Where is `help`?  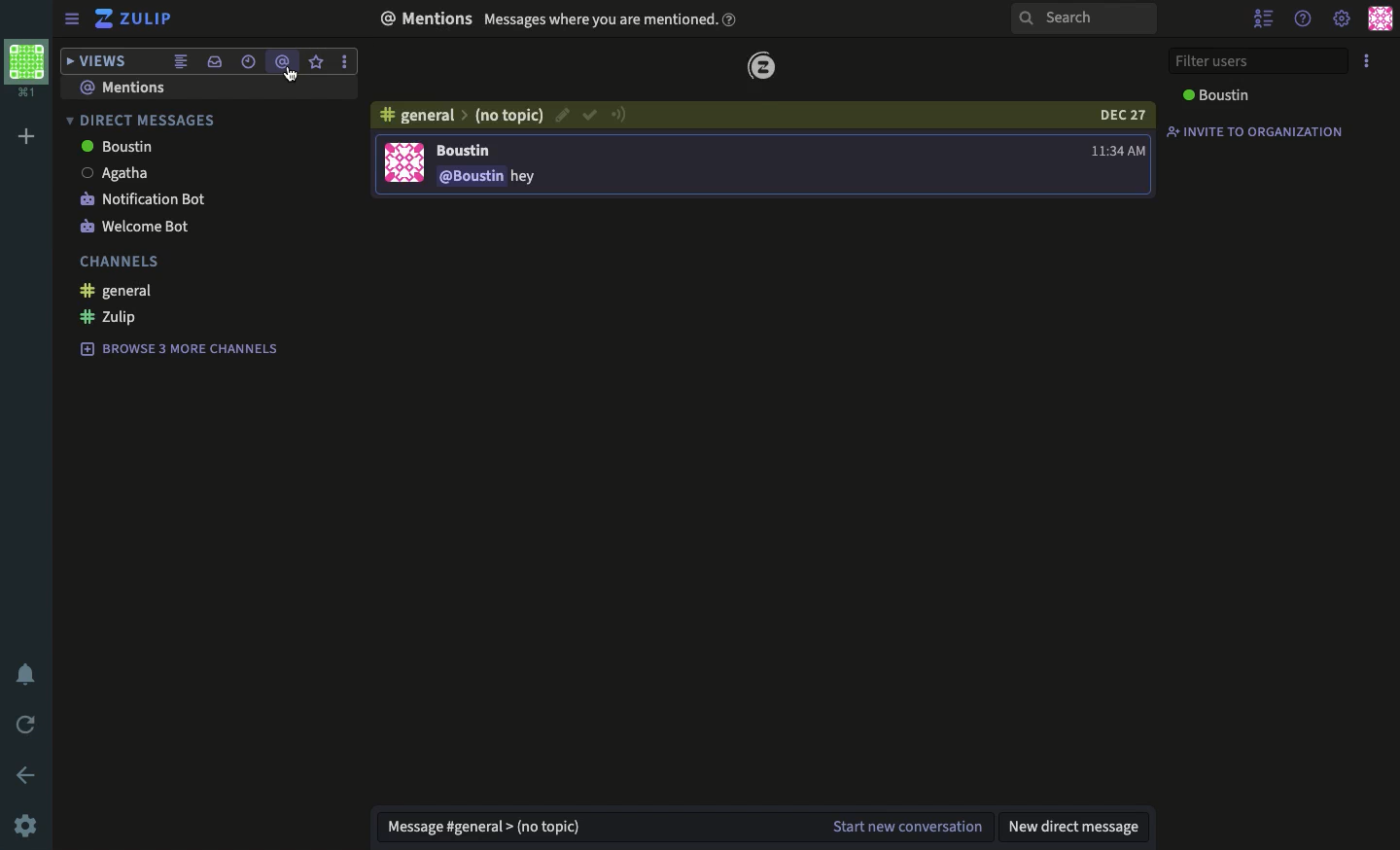 help is located at coordinates (1307, 20).